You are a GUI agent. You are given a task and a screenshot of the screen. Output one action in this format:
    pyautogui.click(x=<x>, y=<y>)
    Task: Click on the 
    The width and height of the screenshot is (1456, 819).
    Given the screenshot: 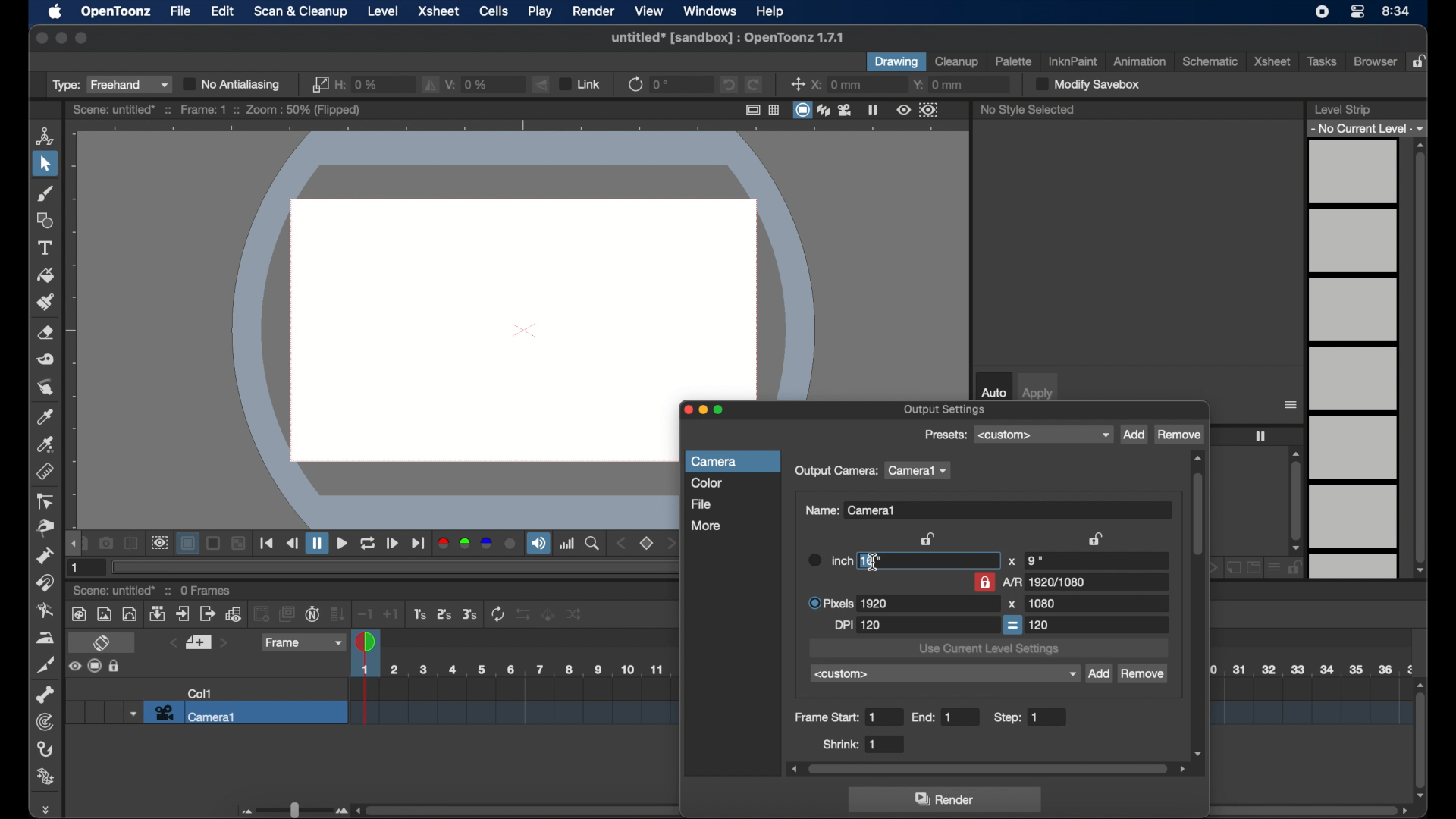 What is the action you would take?
    pyautogui.click(x=1277, y=569)
    